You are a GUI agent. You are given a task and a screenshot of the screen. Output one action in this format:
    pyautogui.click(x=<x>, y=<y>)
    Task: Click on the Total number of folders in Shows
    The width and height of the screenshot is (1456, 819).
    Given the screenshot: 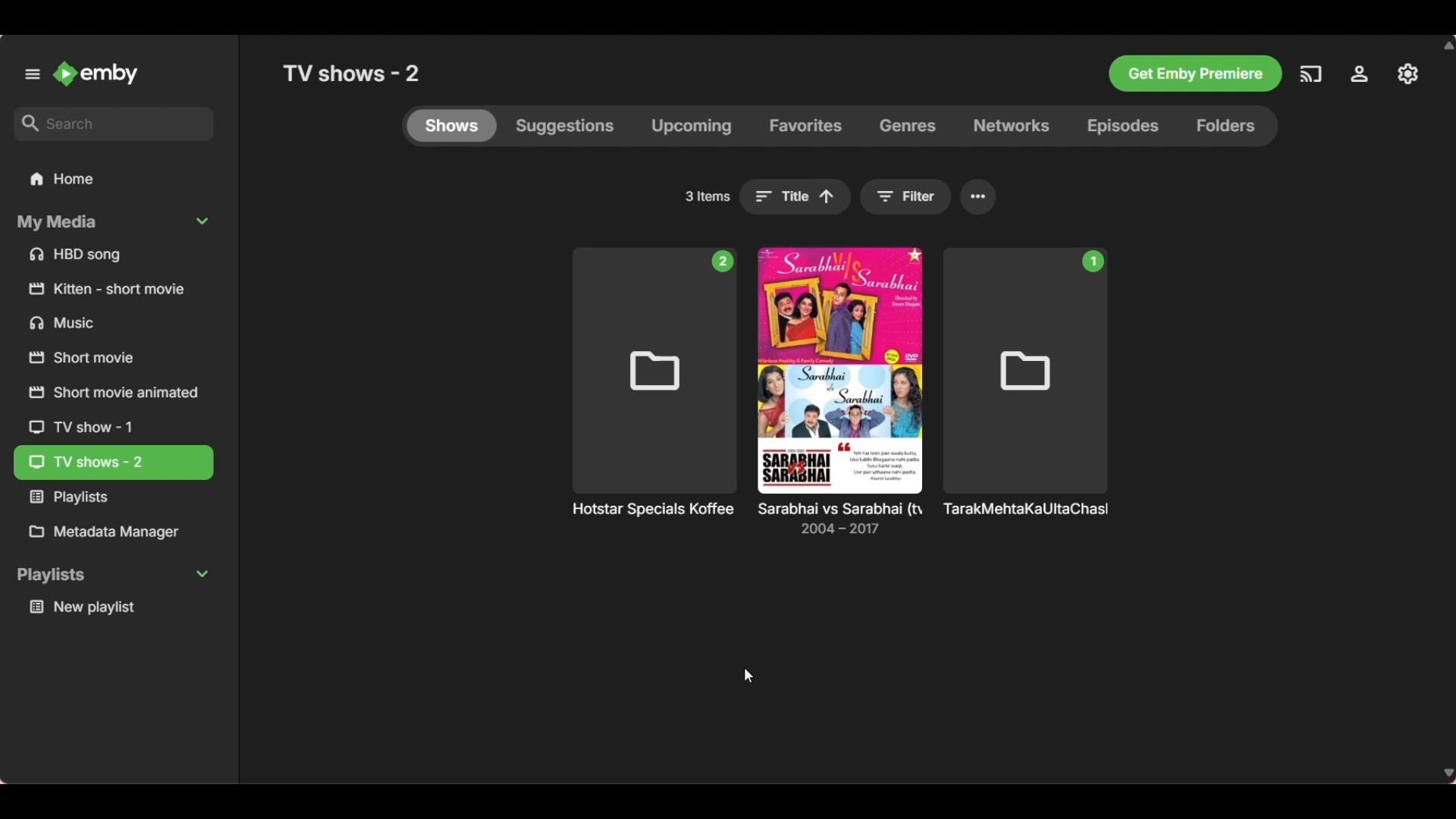 What is the action you would take?
    pyautogui.click(x=701, y=196)
    